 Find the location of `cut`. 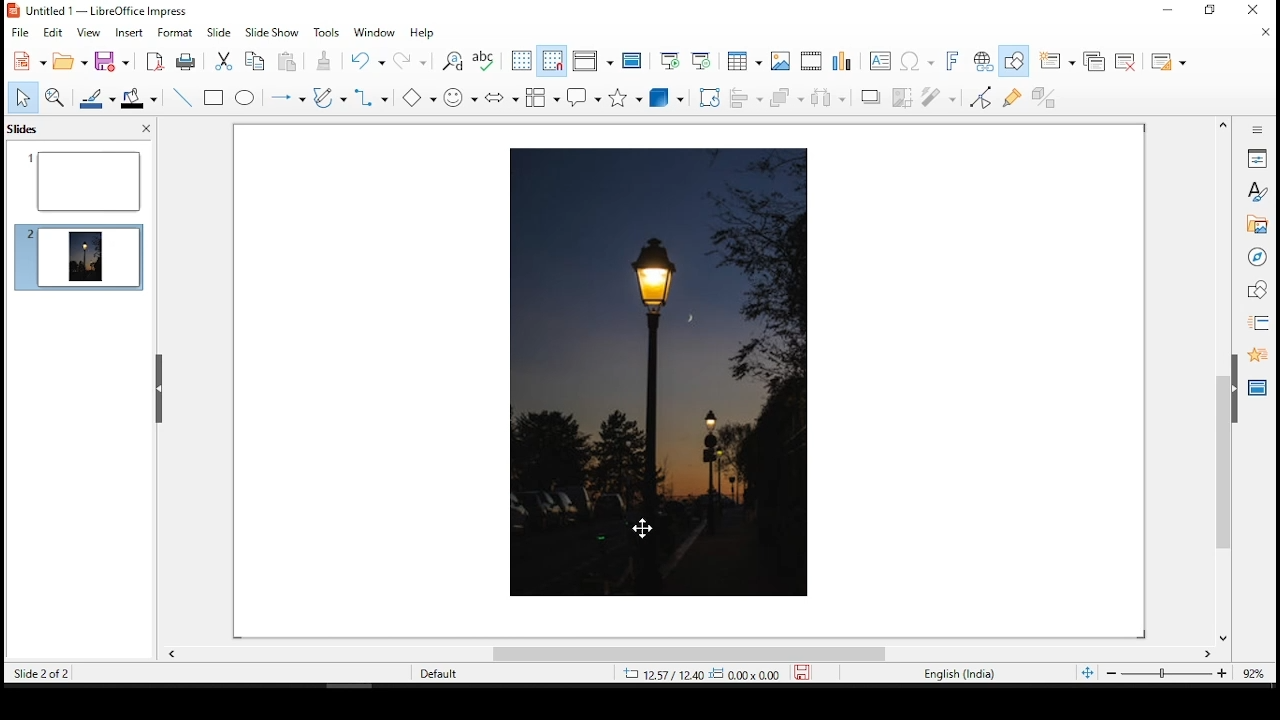

cut is located at coordinates (223, 63).